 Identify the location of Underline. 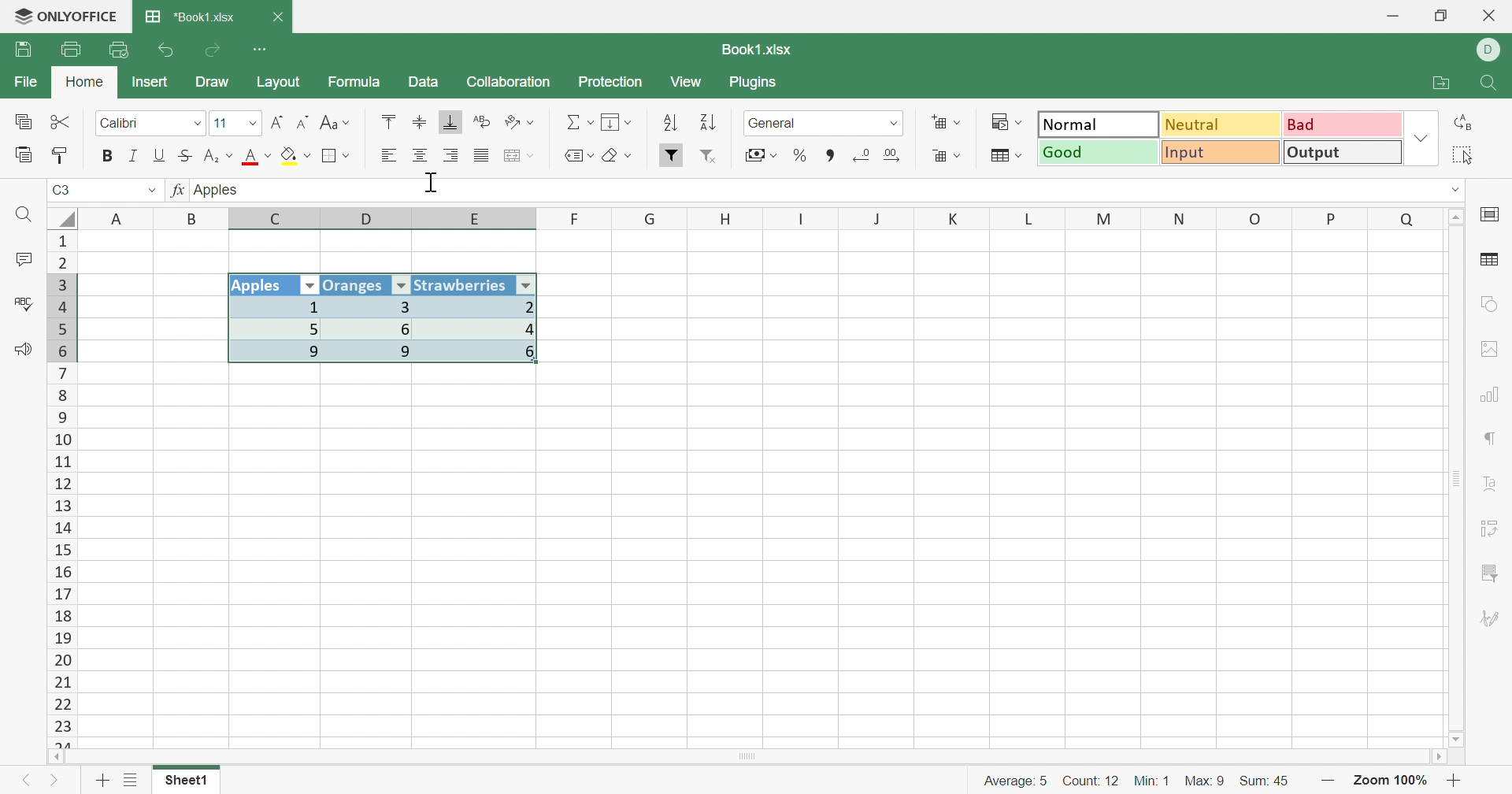
(160, 155).